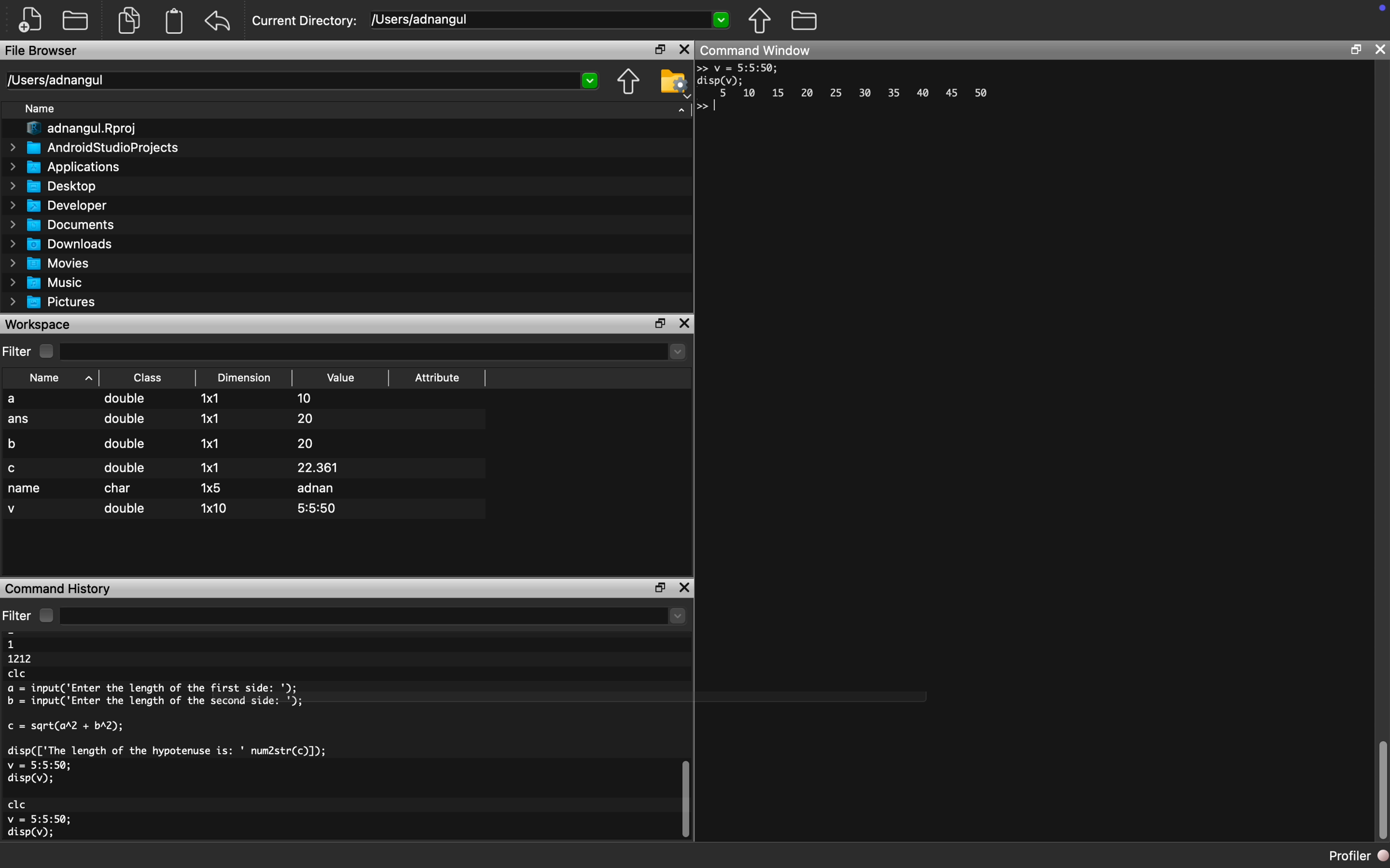 The image size is (1390, 868). I want to click on name, so click(25, 489).